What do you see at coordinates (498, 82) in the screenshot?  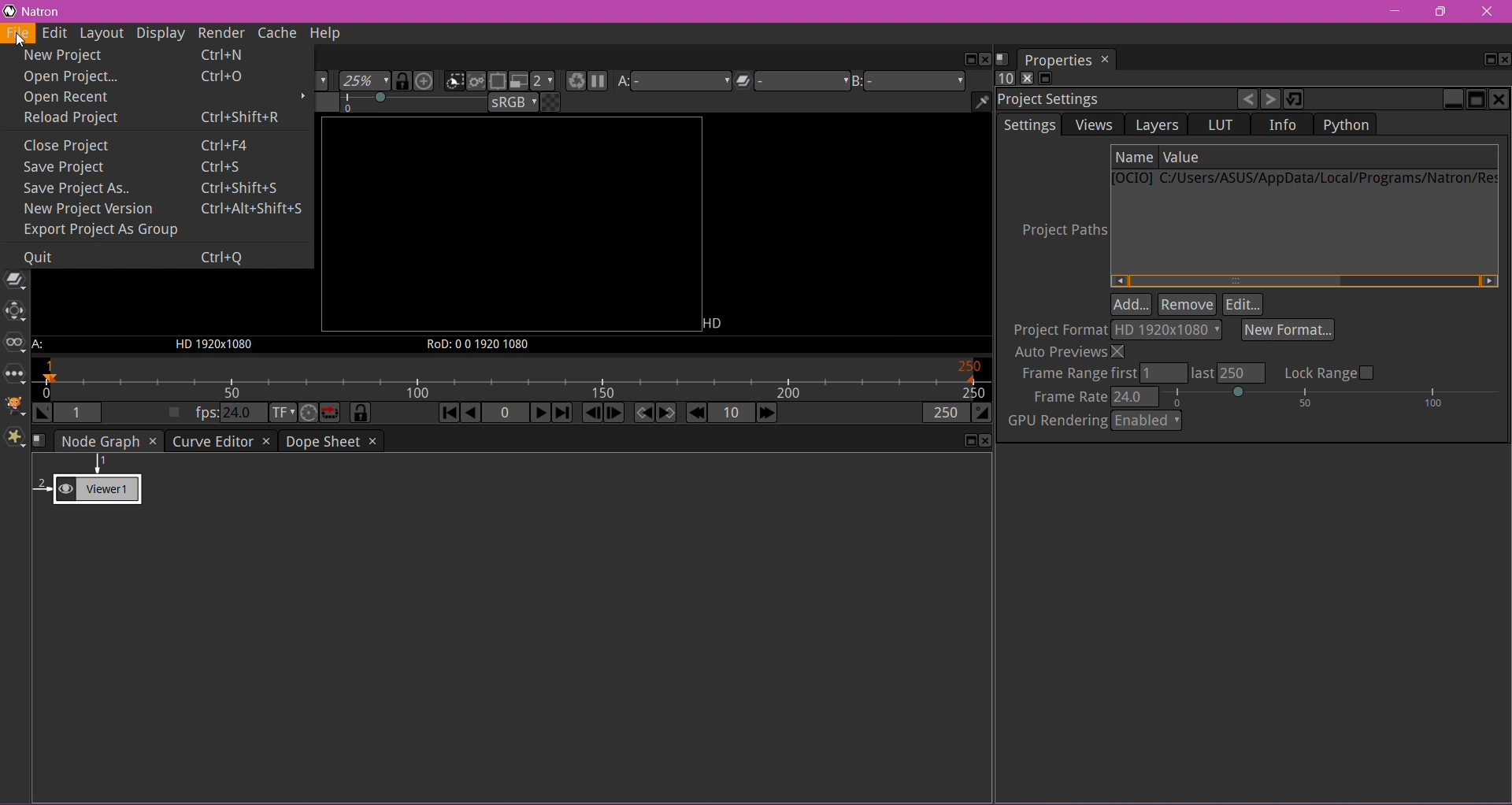 I see `When active, enables the region of interest that limits the portion of the viewer that is kept updated` at bounding box center [498, 82].